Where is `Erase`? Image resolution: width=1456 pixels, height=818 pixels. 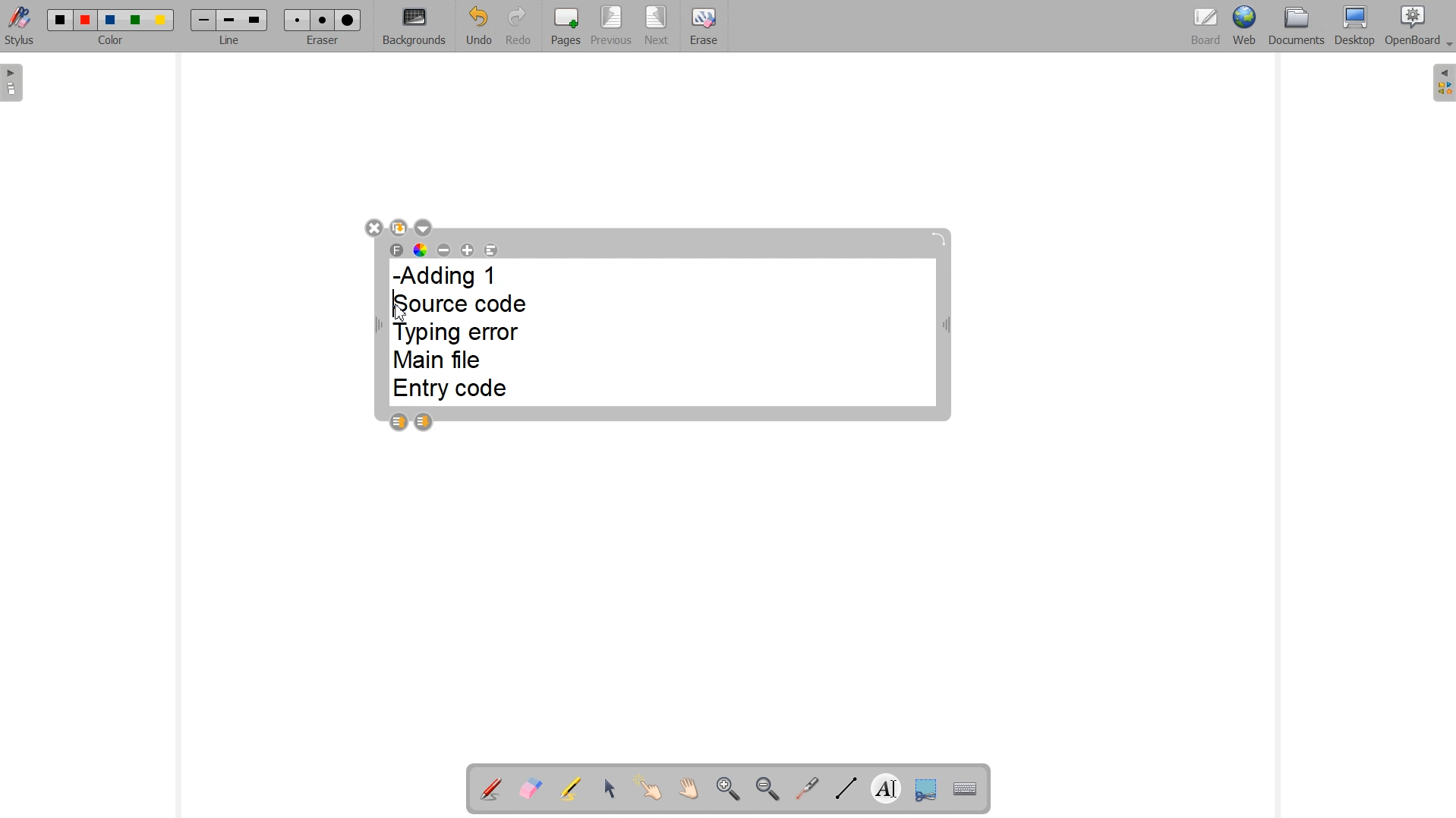
Erase is located at coordinates (704, 24).